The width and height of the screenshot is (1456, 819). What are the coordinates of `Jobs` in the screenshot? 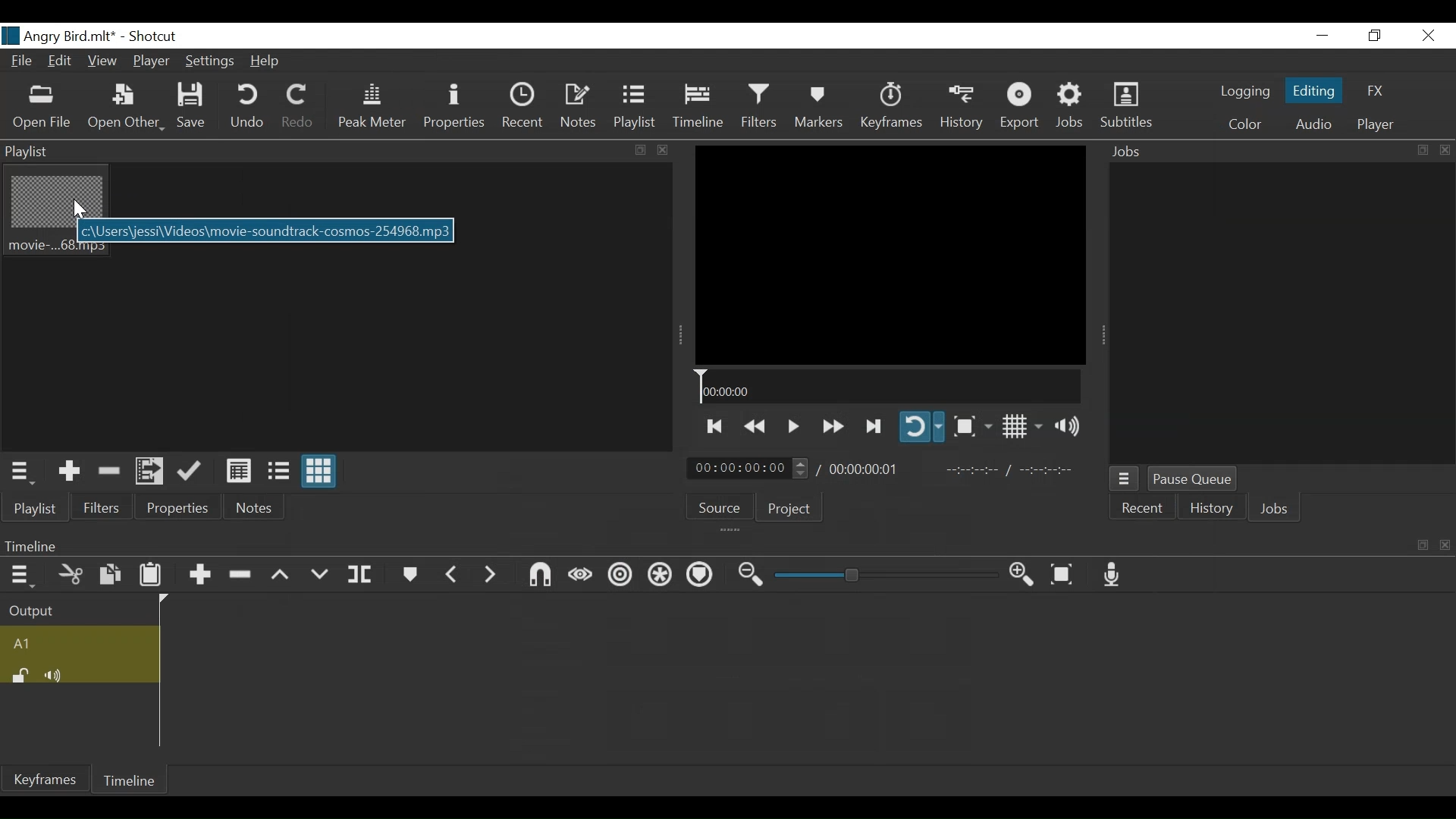 It's located at (1278, 510).